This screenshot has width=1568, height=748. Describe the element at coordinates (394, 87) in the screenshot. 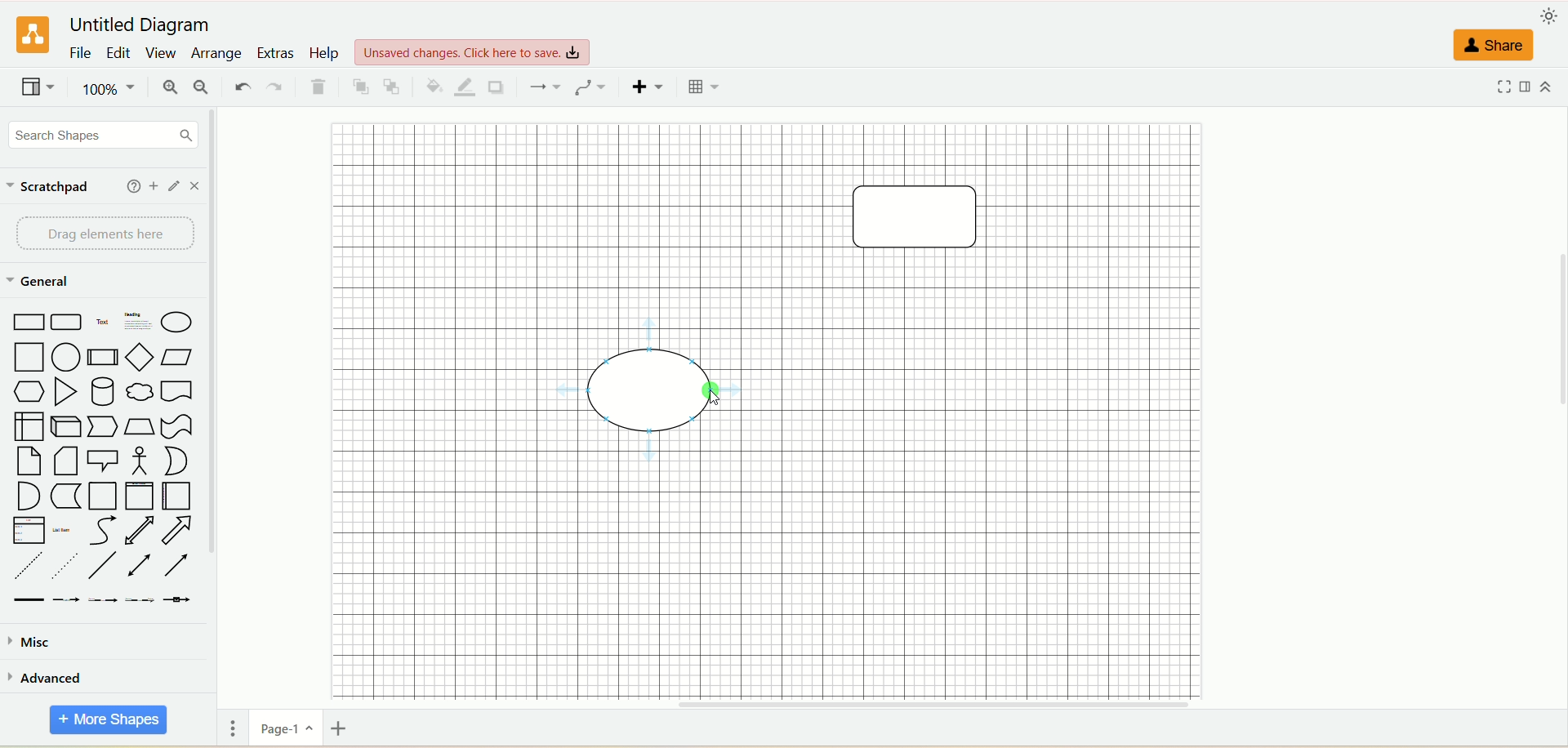

I see `to back` at that location.